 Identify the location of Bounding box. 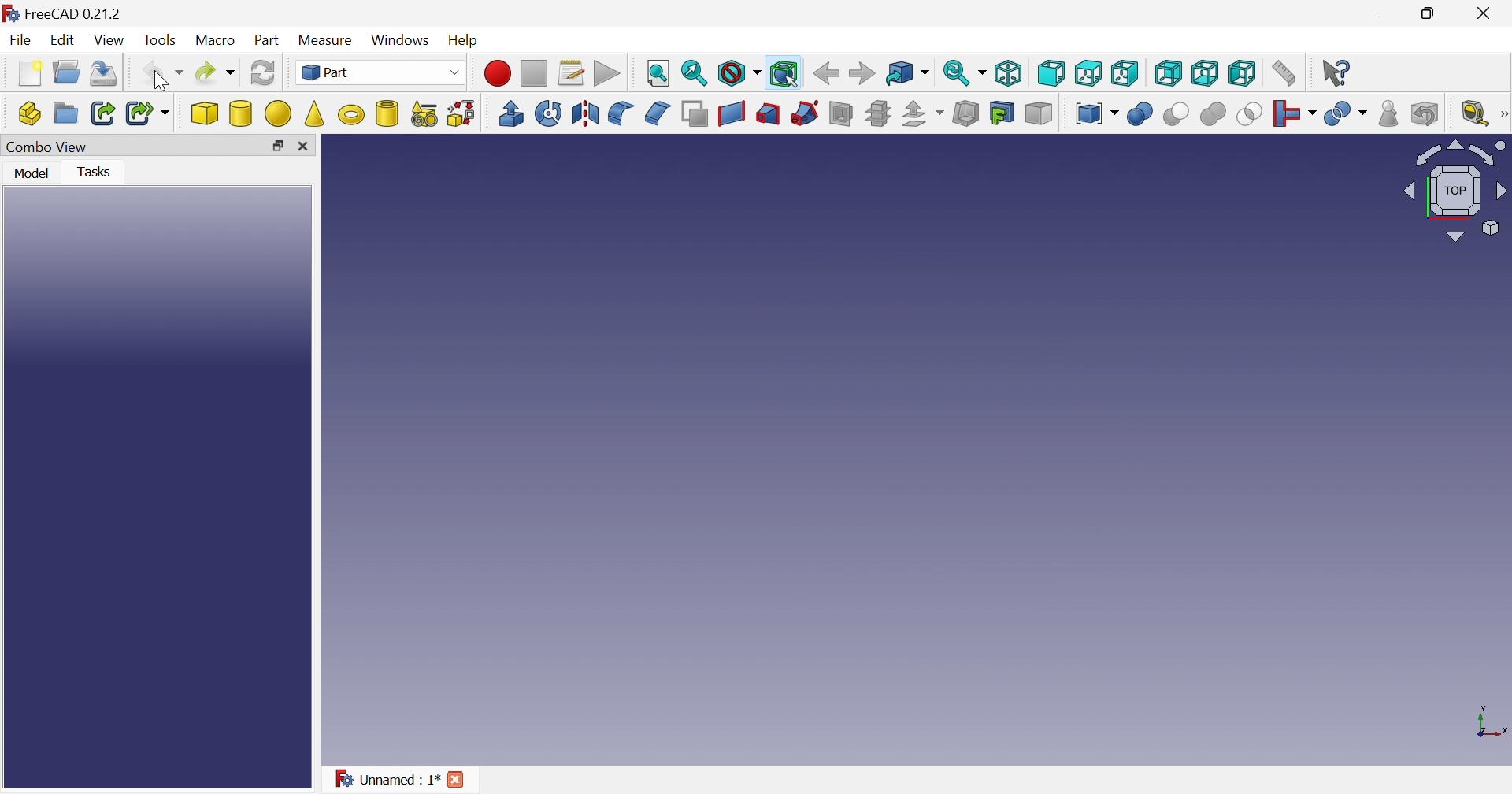
(786, 75).